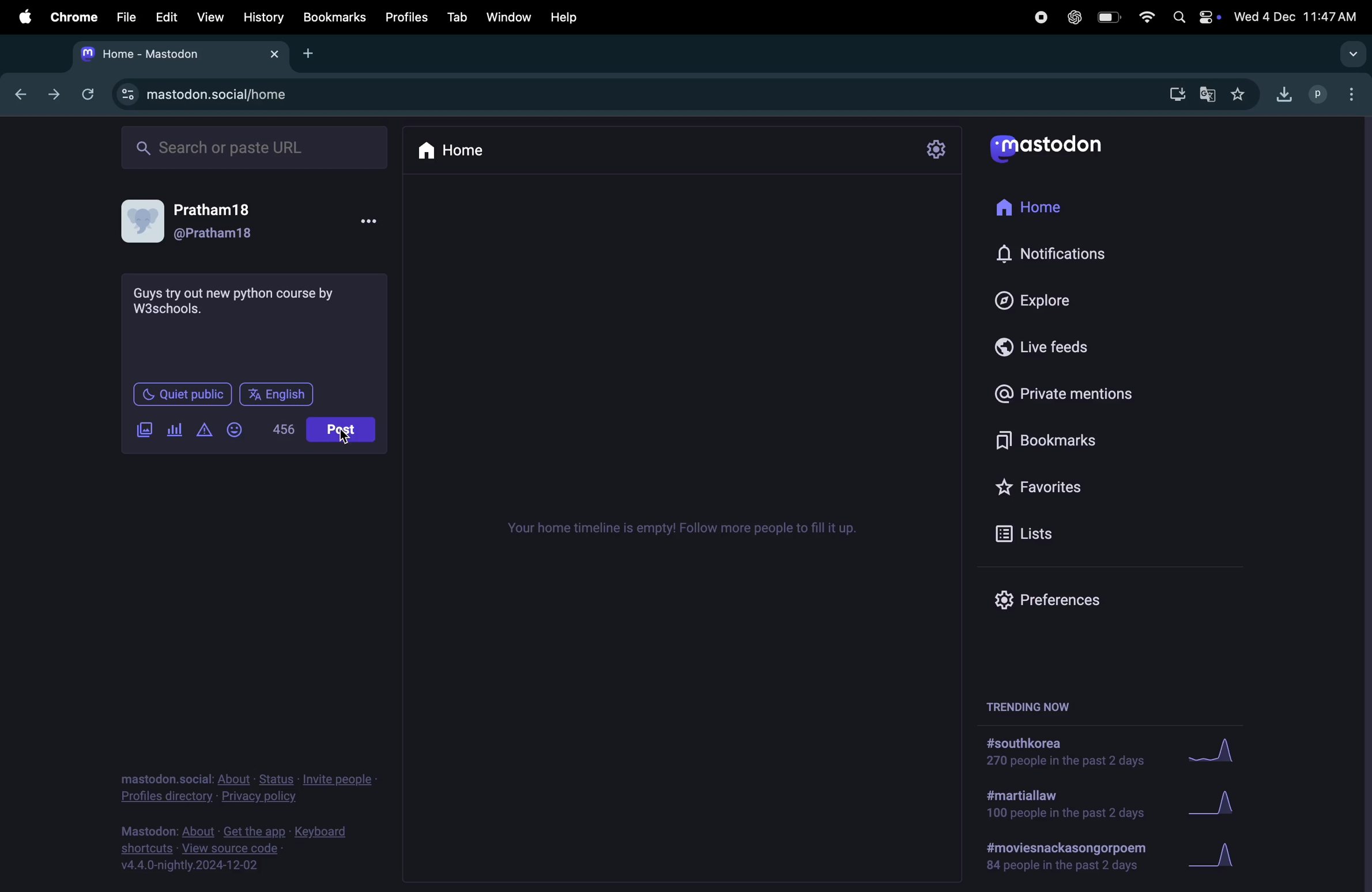  Describe the element at coordinates (378, 222) in the screenshot. I see `options` at that location.